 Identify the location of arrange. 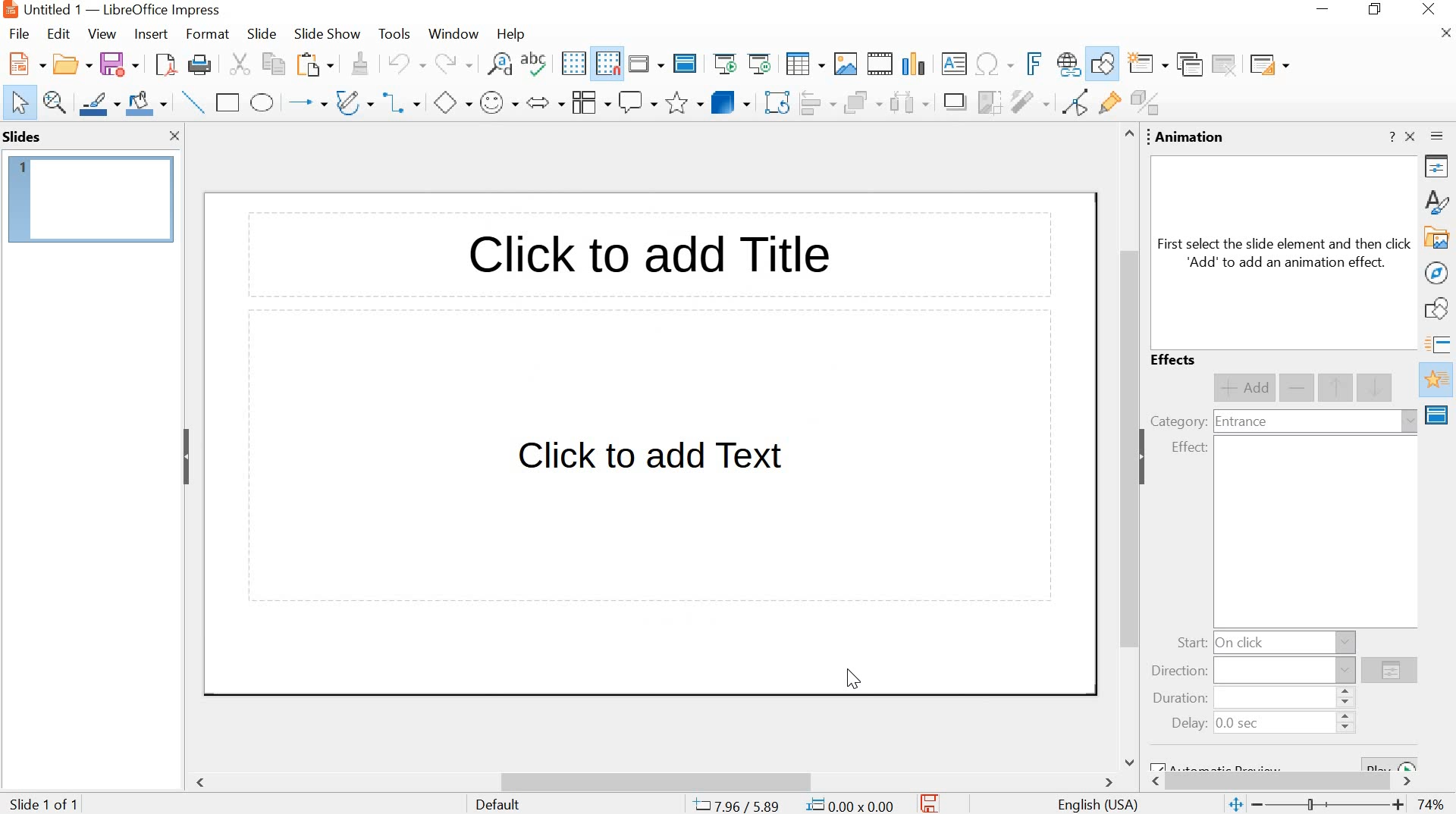
(861, 104).